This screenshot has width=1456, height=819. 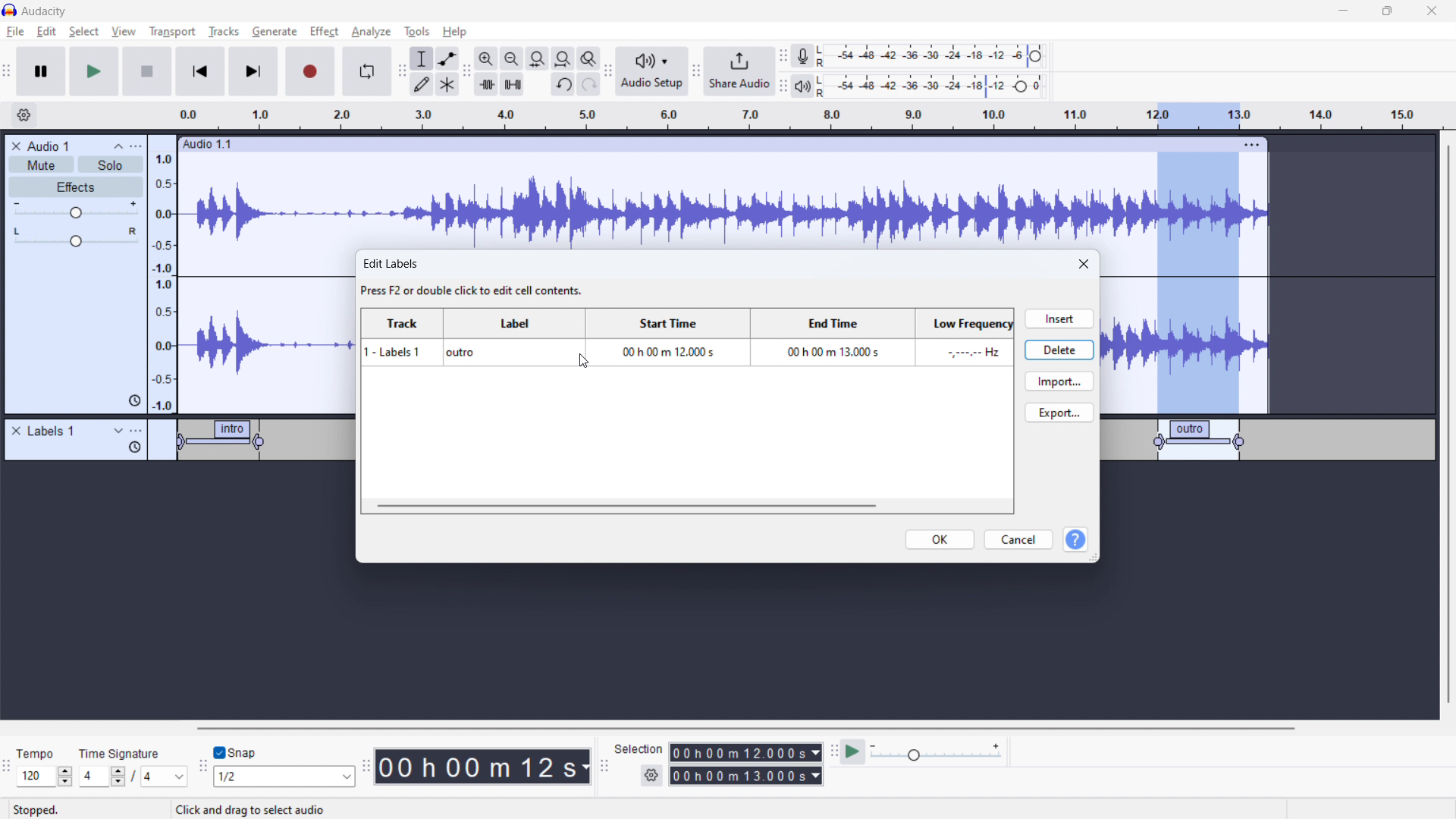 I want to click on toggle zoom, so click(x=588, y=58).